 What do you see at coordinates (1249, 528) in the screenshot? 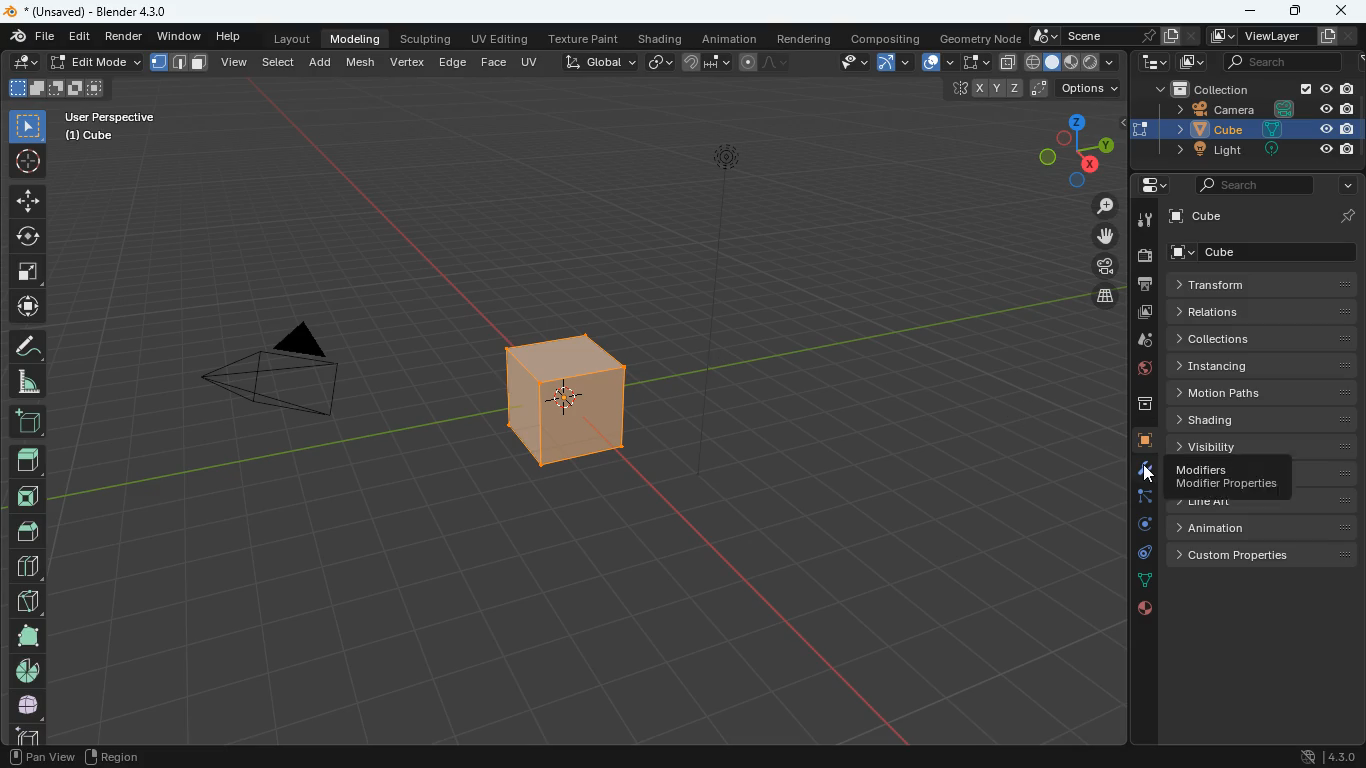
I see `animation` at bounding box center [1249, 528].